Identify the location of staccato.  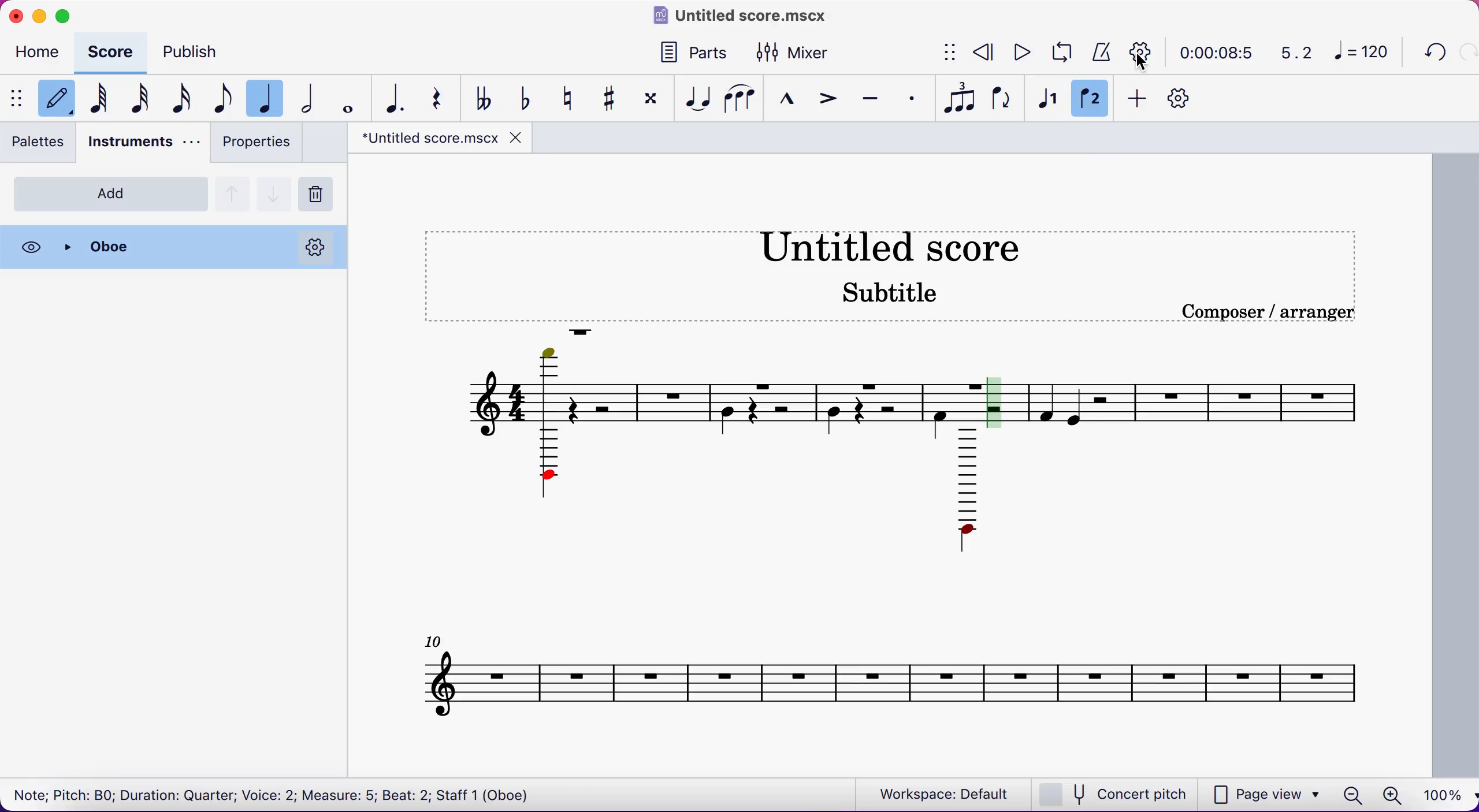
(915, 99).